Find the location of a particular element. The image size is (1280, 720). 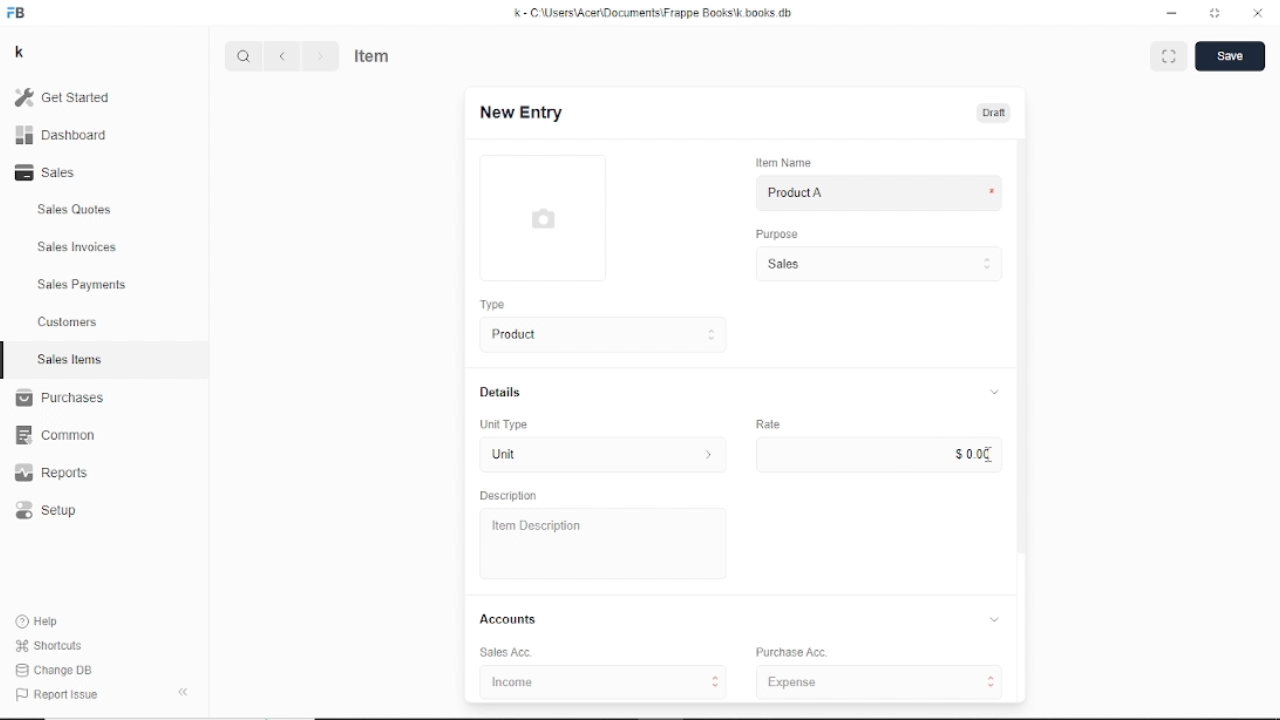

Next is located at coordinates (319, 56).